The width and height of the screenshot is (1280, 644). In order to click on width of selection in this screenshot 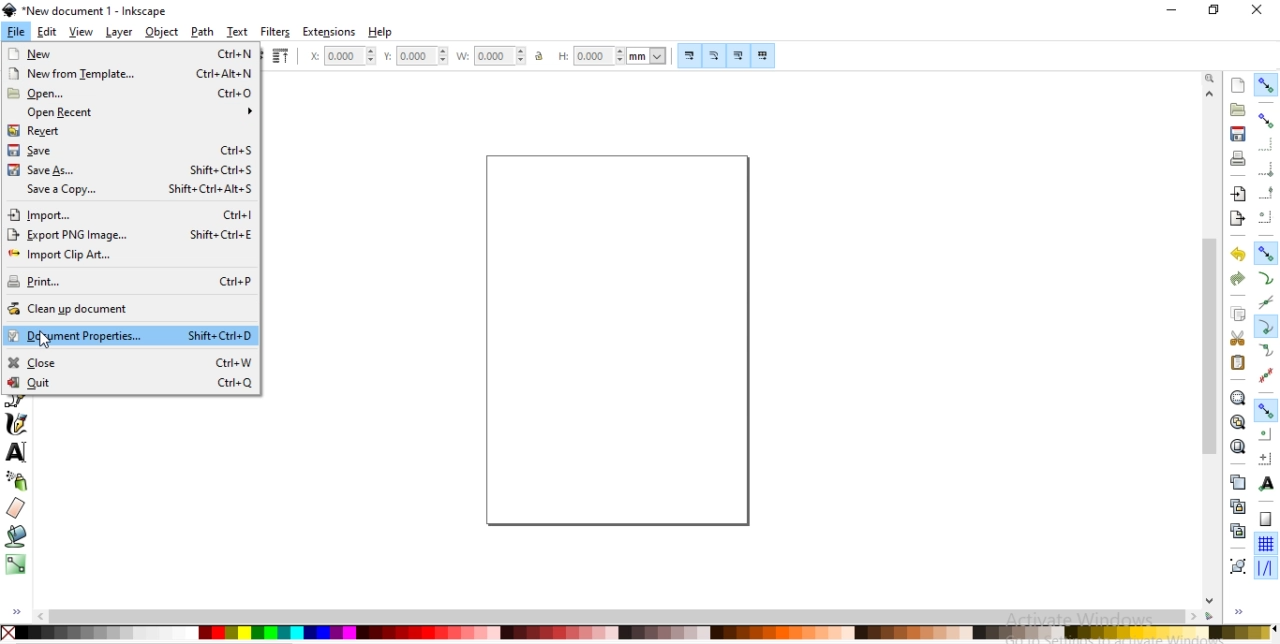, I will do `click(494, 53)`.